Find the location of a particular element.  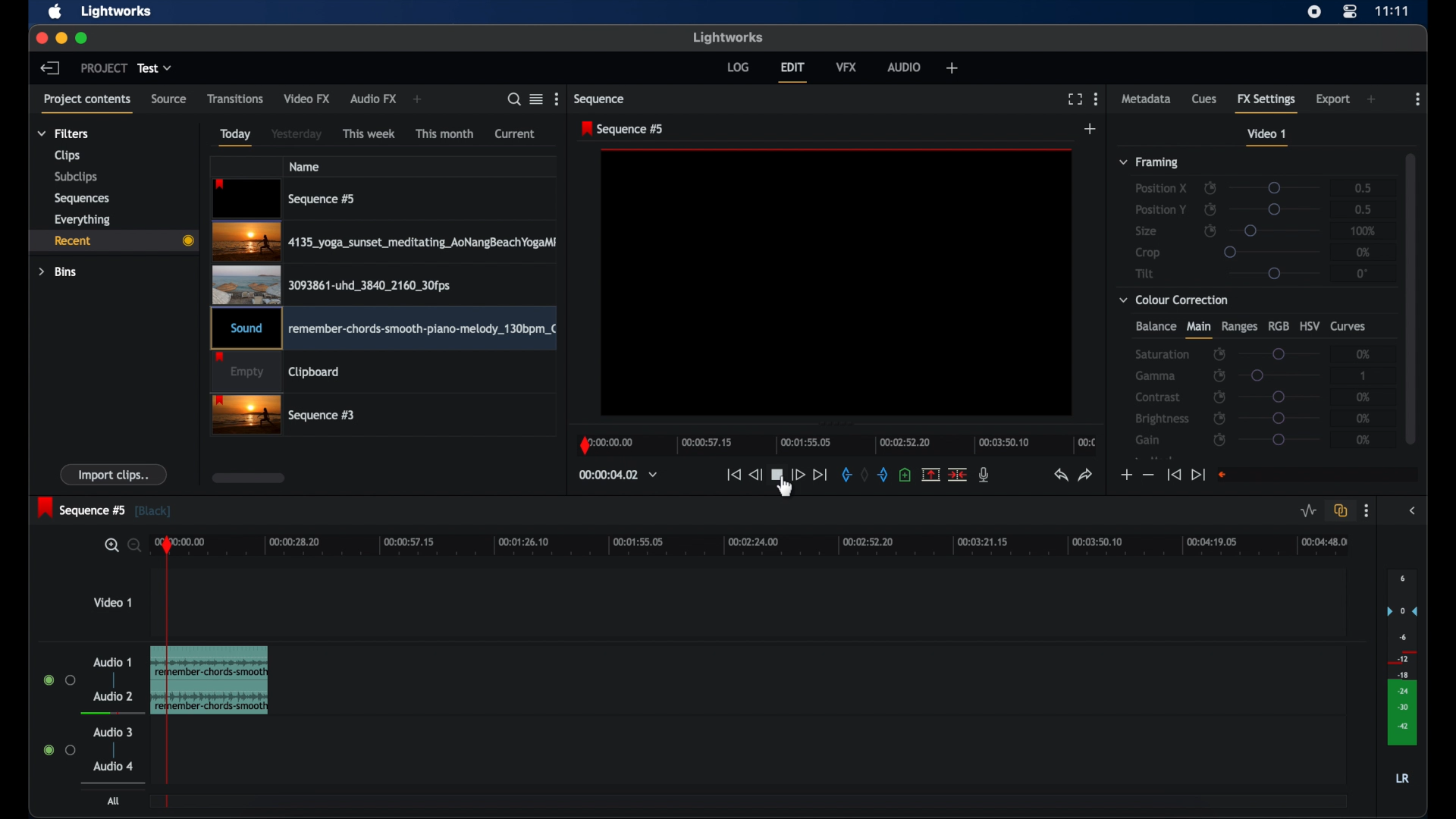

1 is located at coordinates (1364, 375).